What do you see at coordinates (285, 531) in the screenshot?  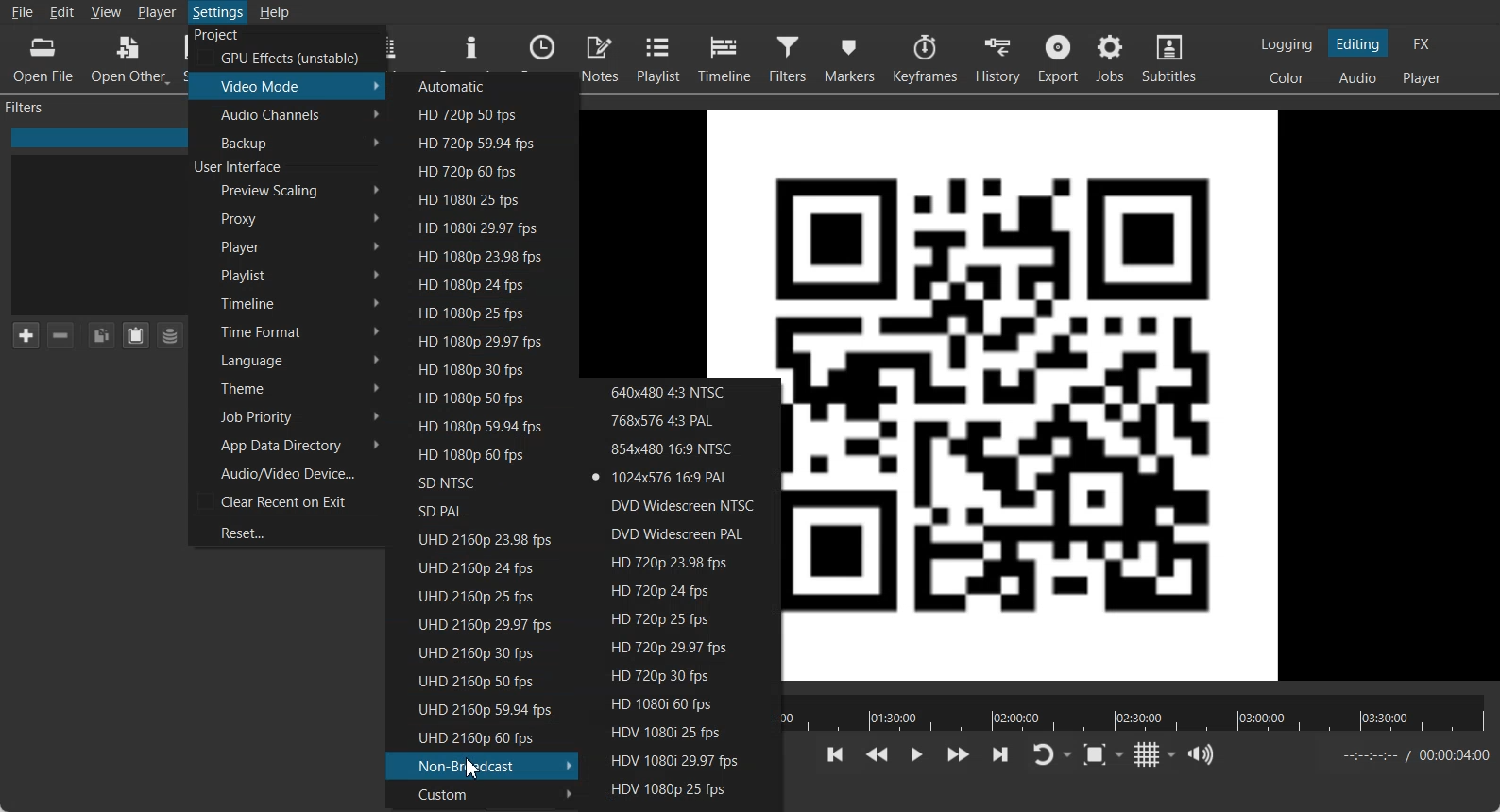 I see `Reset` at bounding box center [285, 531].